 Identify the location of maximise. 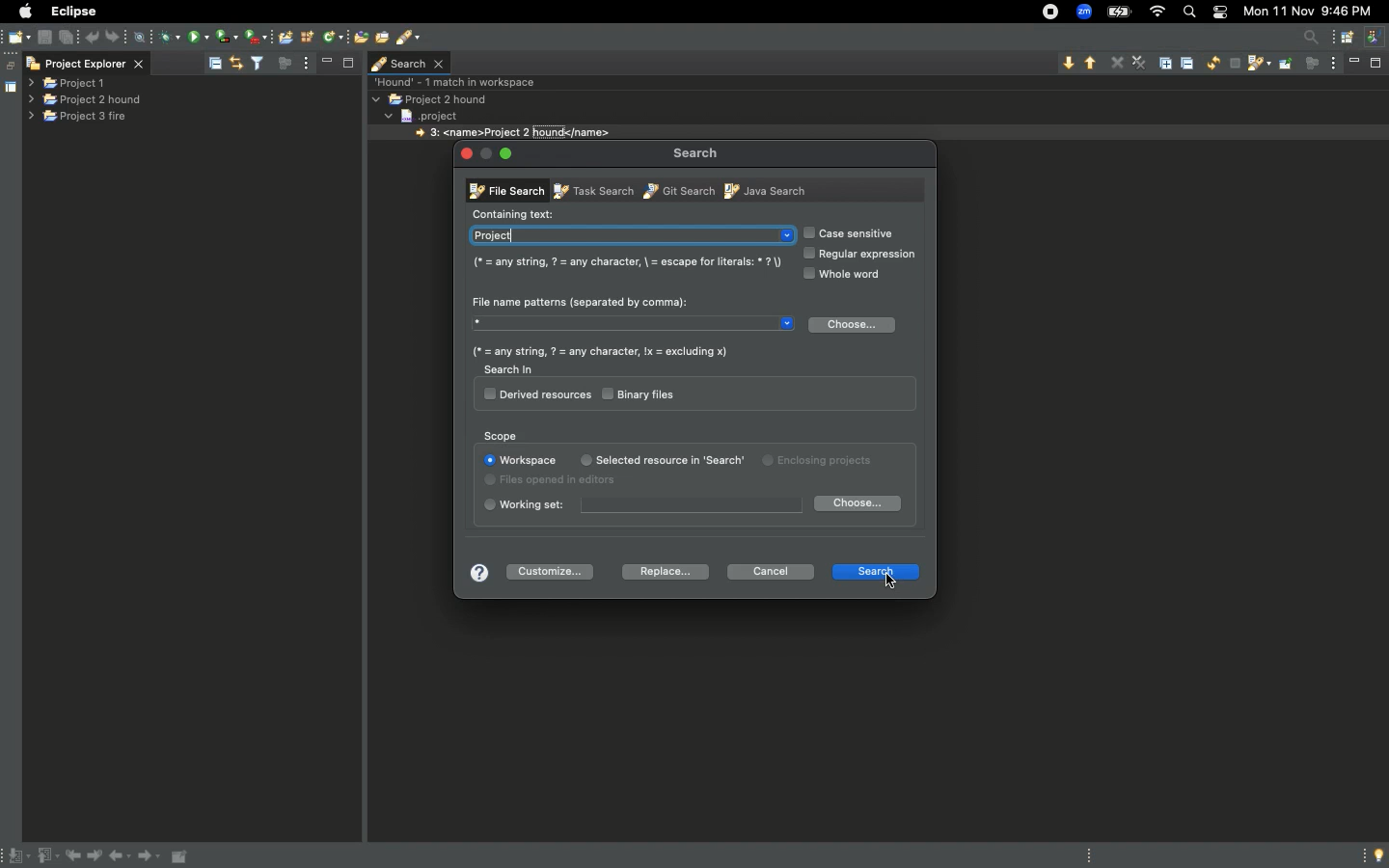
(1375, 64).